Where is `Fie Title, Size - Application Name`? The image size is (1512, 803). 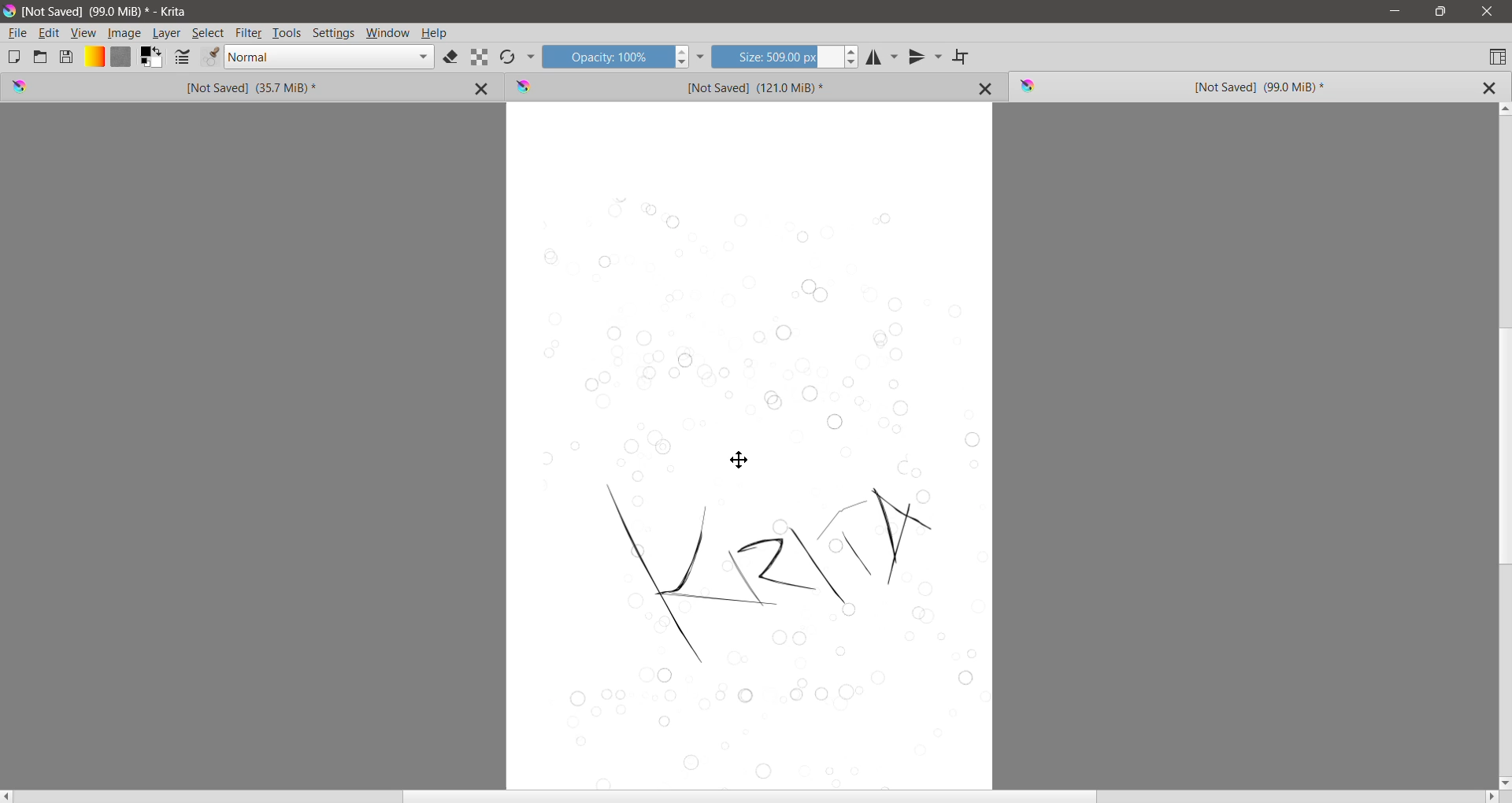 Fie Title, Size - Application Name is located at coordinates (109, 12).